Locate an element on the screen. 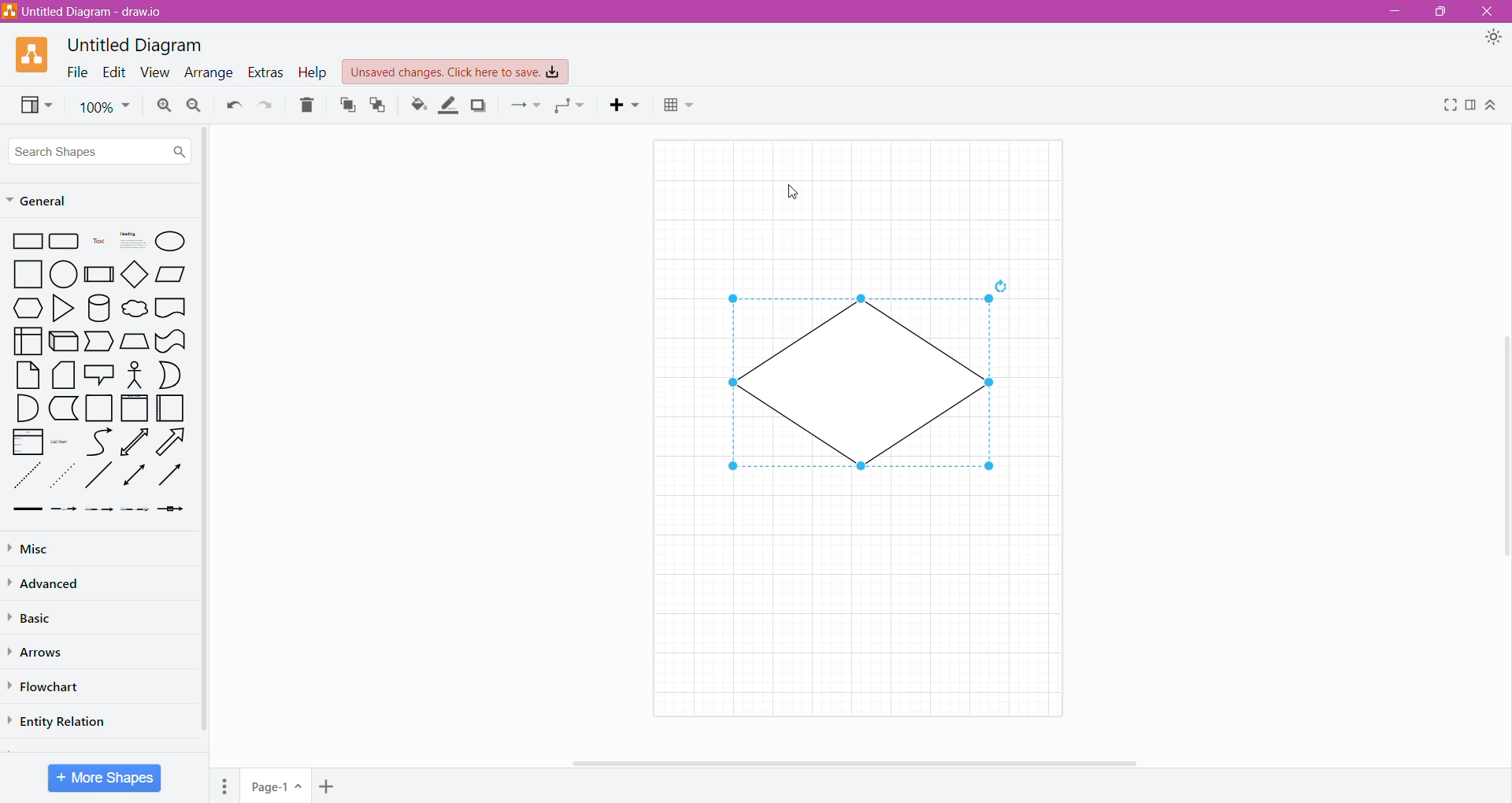 The image size is (1512, 803). Misc is located at coordinates (31, 549).